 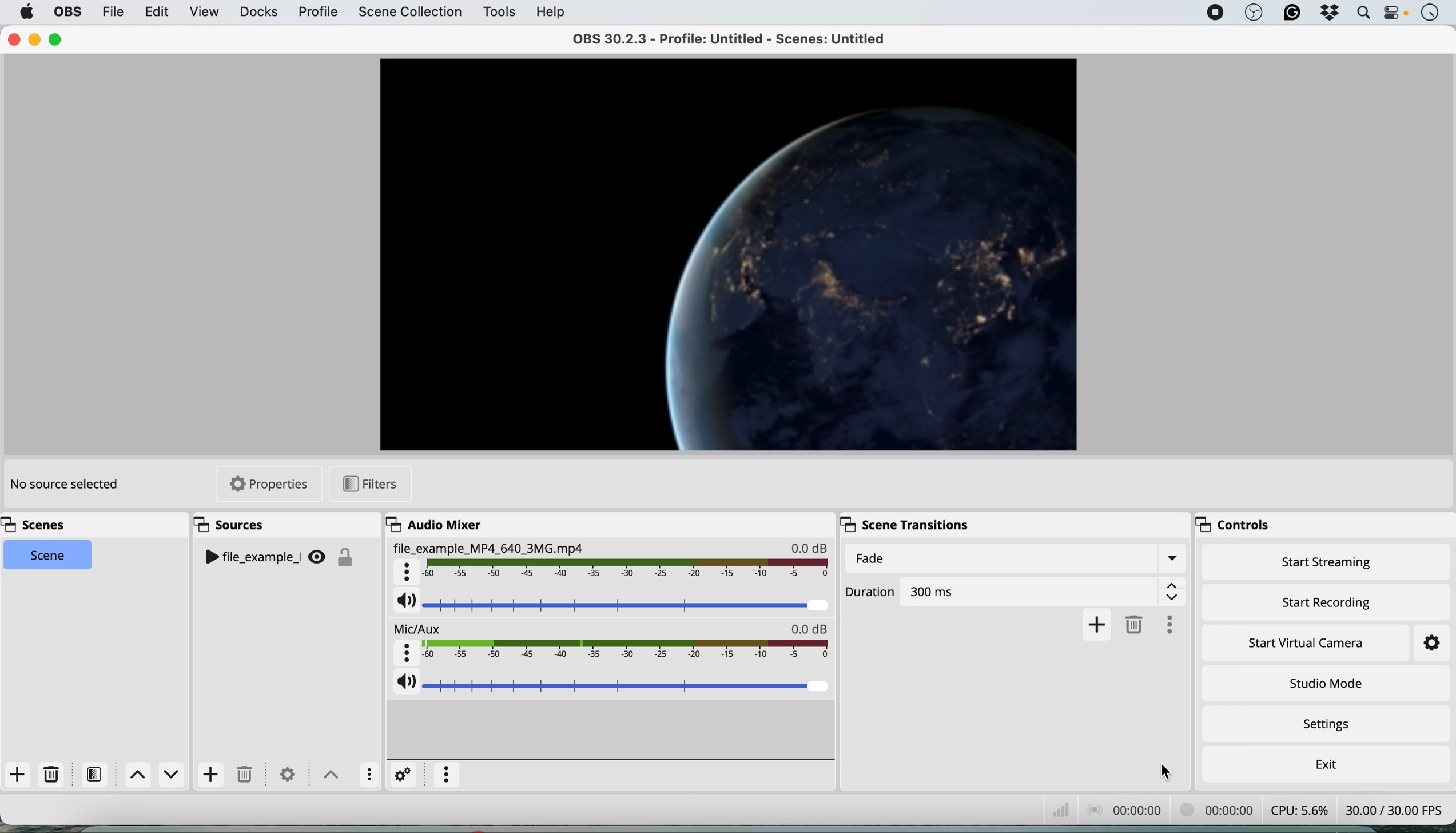 What do you see at coordinates (210, 775) in the screenshot?
I see `add source` at bounding box center [210, 775].